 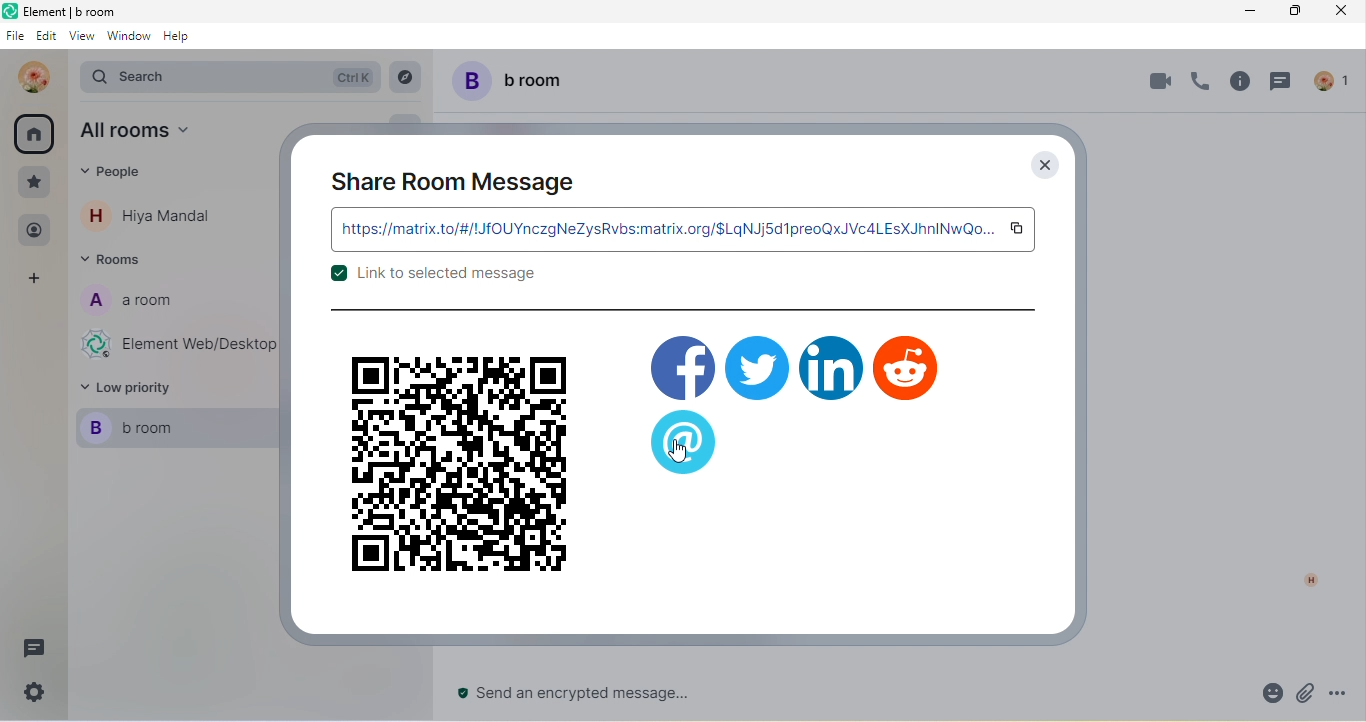 What do you see at coordinates (1285, 85) in the screenshot?
I see `thread` at bounding box center [1285, 85].